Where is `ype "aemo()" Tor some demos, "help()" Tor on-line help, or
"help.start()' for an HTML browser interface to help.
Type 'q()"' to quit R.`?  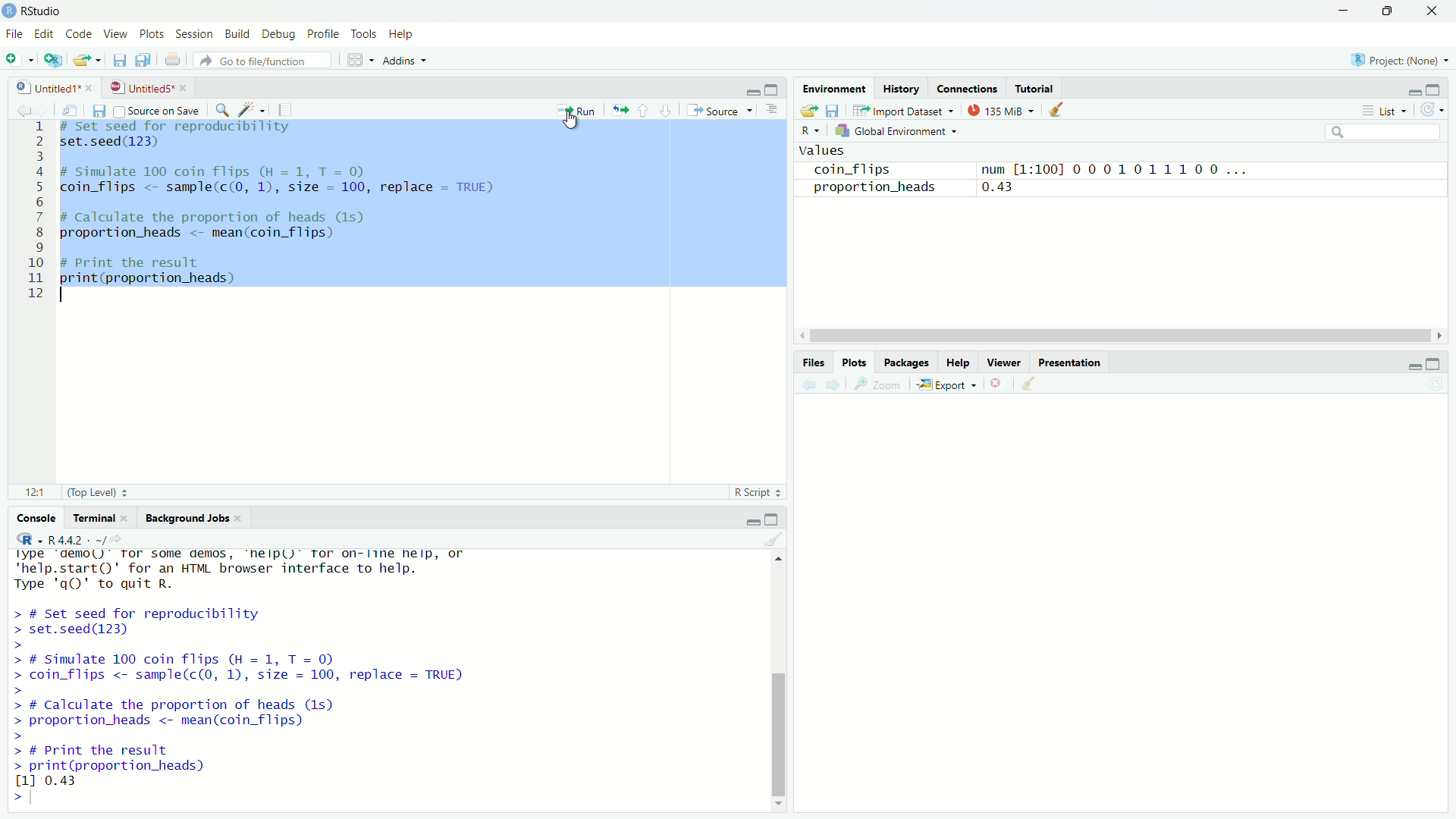 ype "aemo()" Tor some demos, "help()" Tor on-line help, or
"help.start()' for an HTML browser interface to help.
Type 'q()"' to quit R. is located at coordinates (272, 573).